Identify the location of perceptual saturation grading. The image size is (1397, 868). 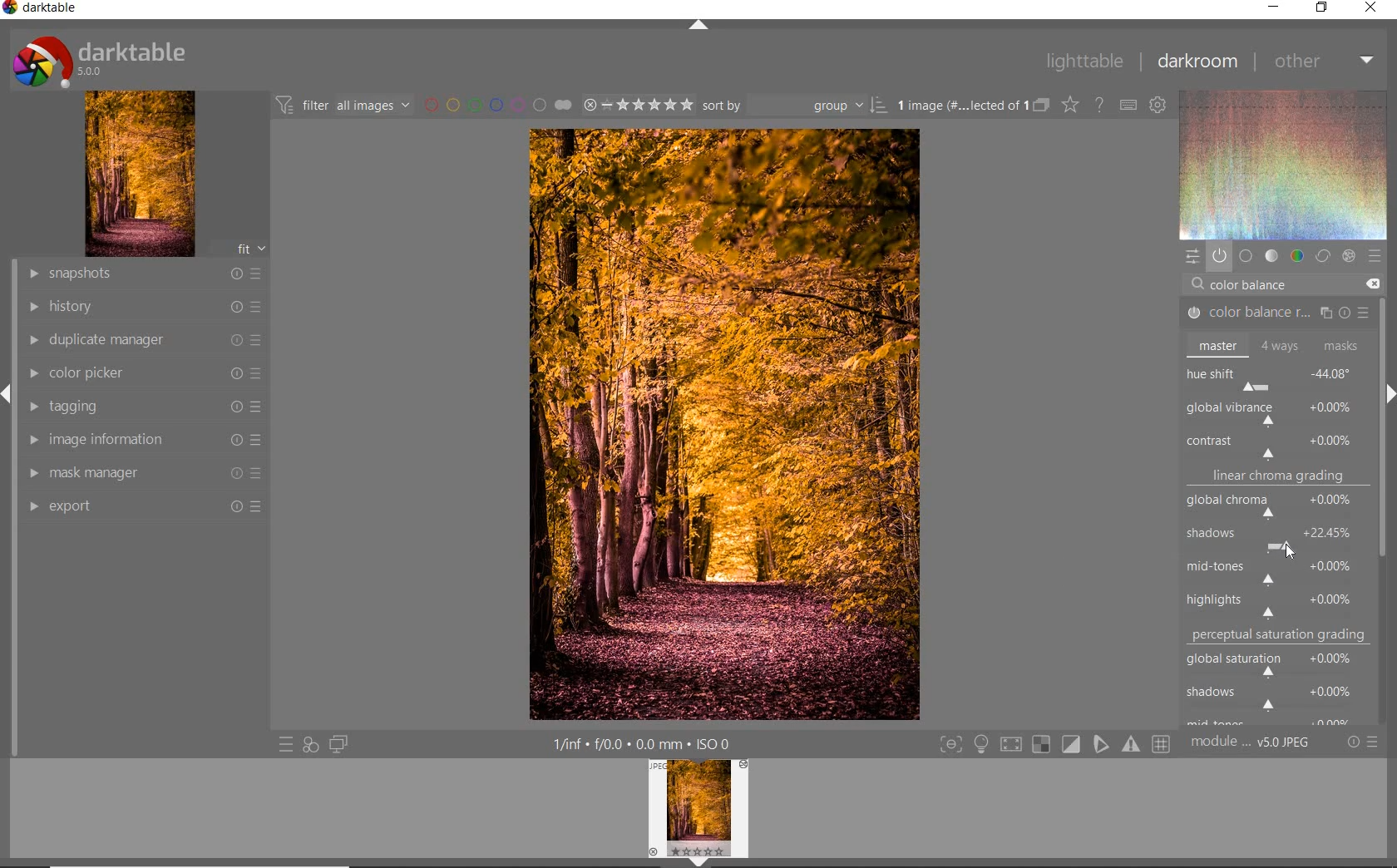
(1281, 635).